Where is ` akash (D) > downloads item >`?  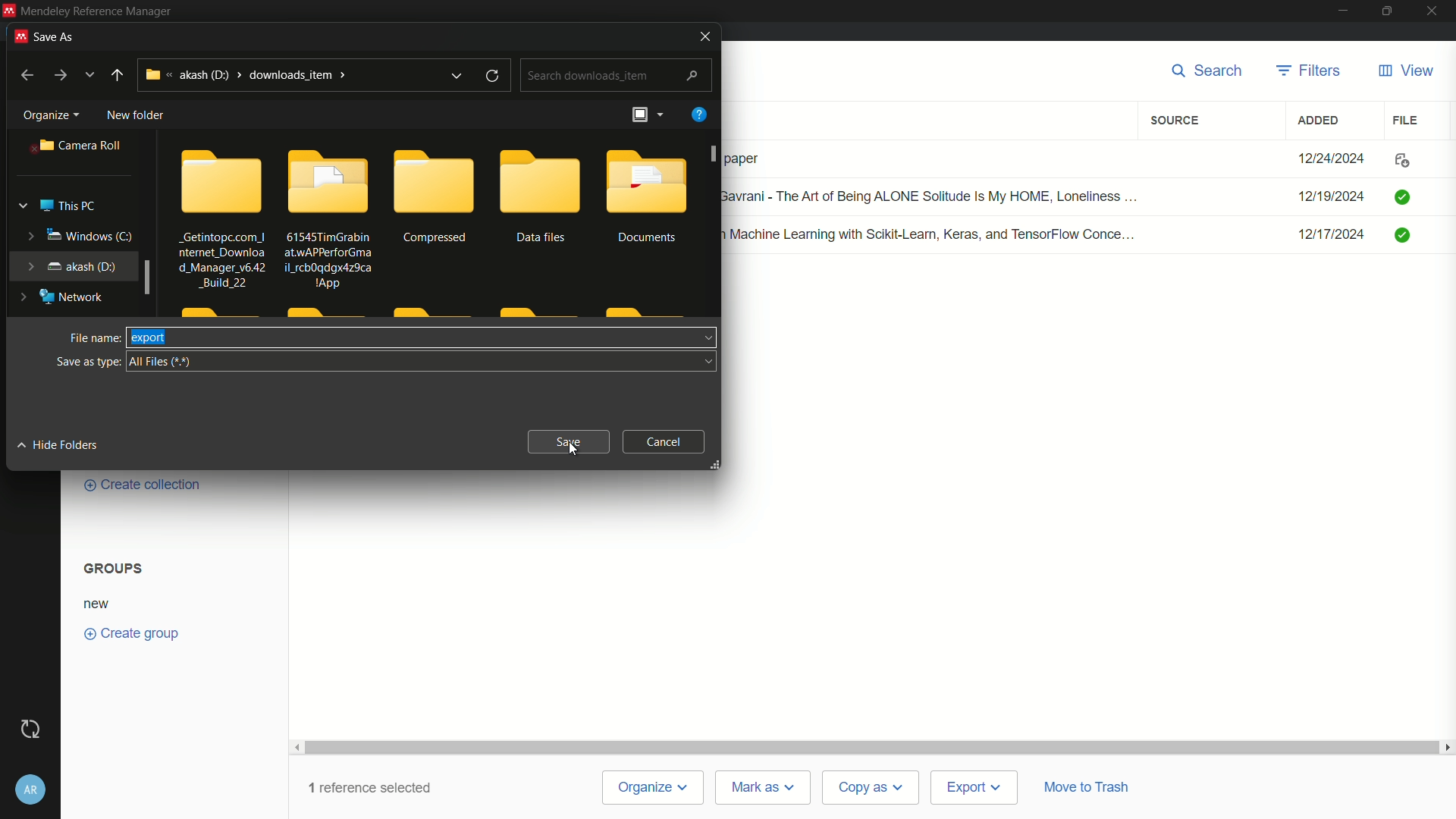
 akash (D) > downloads item > is located at coordinates (246, 75).